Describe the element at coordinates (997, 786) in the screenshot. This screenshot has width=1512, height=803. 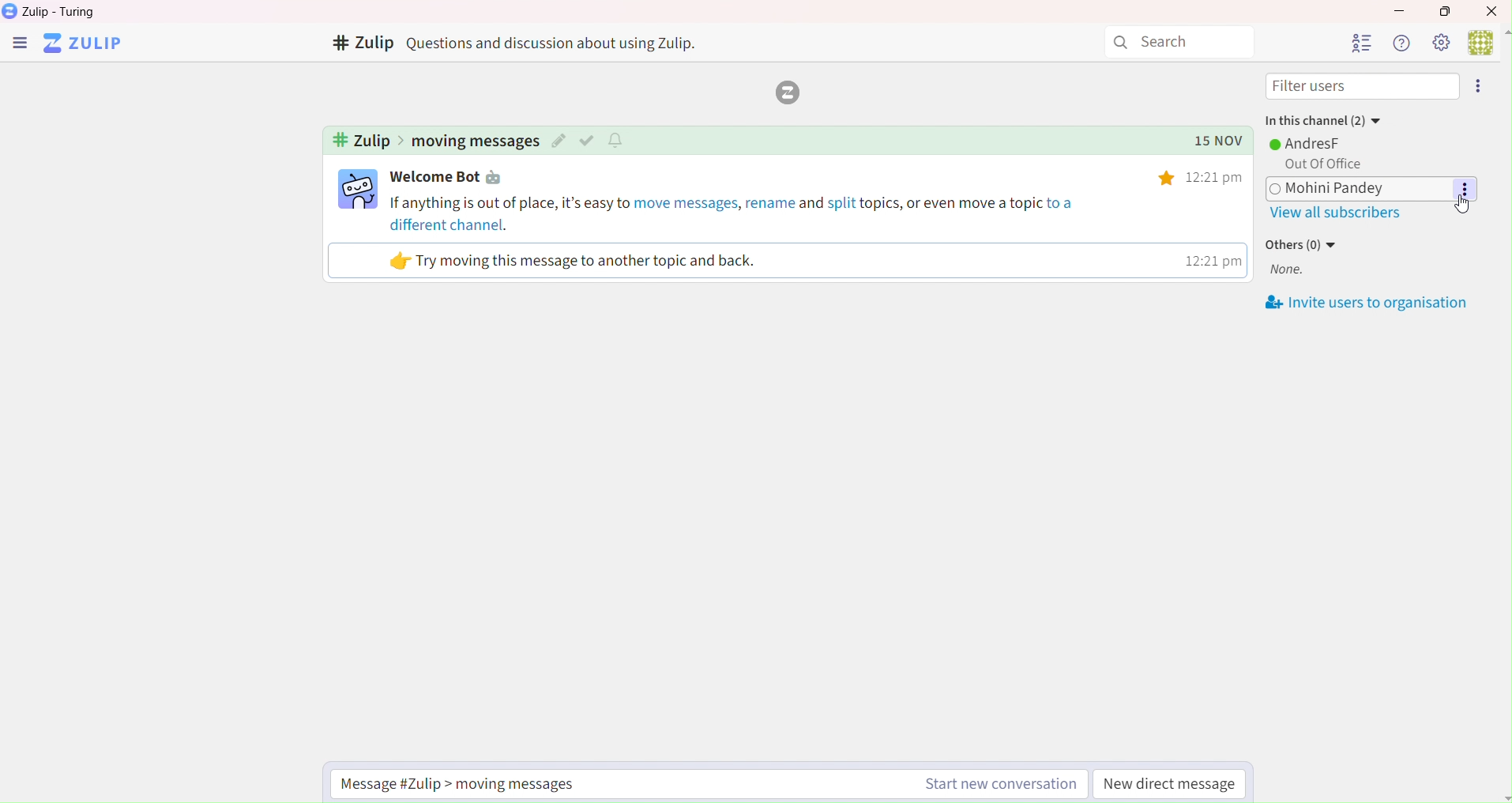
I see `Start new conversation` at that location.